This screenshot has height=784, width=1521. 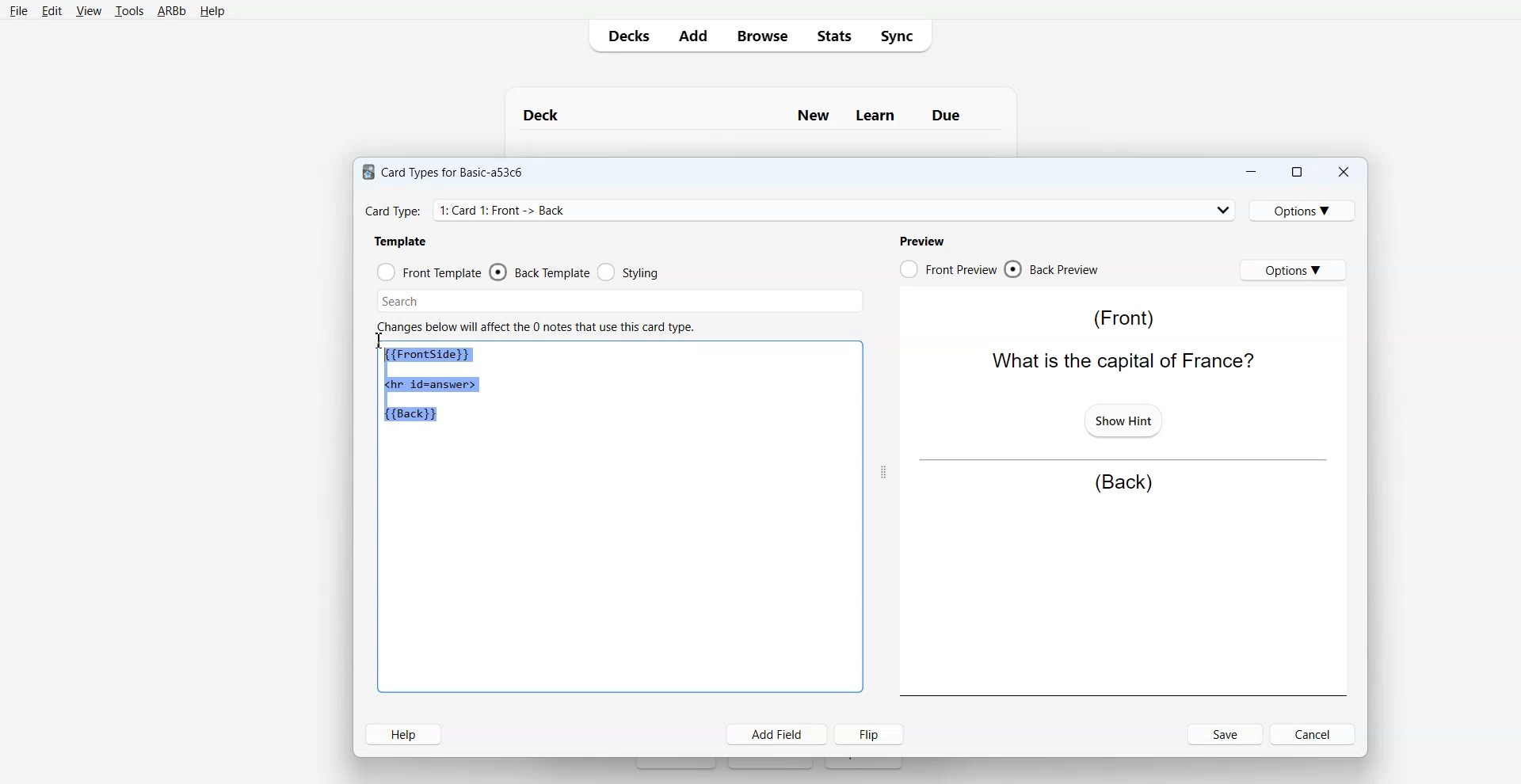 I want to click on Decks, so click(x=625, y=36).